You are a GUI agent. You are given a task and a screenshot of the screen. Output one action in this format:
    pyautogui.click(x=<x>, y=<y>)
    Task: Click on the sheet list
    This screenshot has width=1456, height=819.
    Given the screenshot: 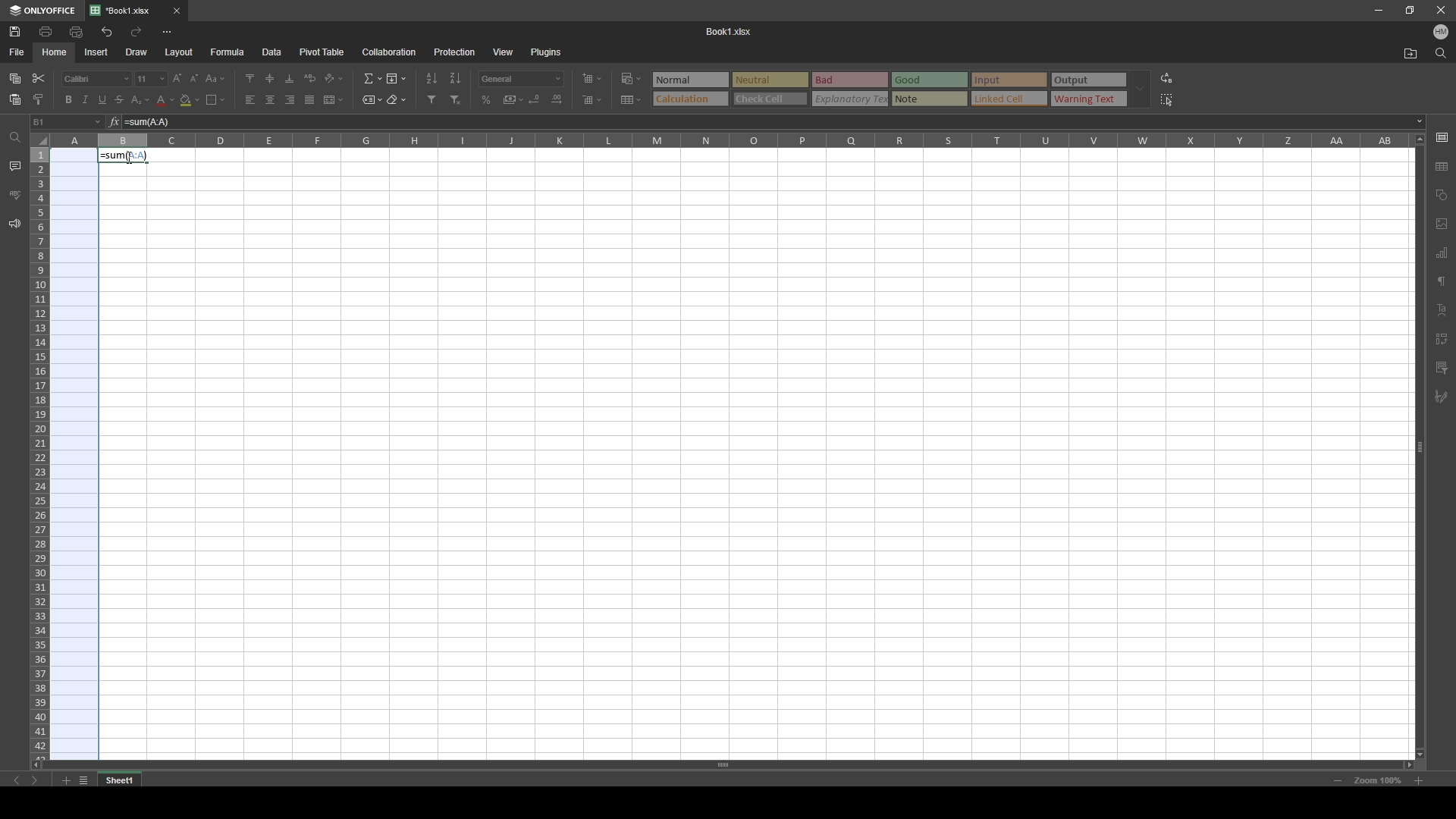 What is the action you would take?
    pyautogui.click(x=83, y=780)
    